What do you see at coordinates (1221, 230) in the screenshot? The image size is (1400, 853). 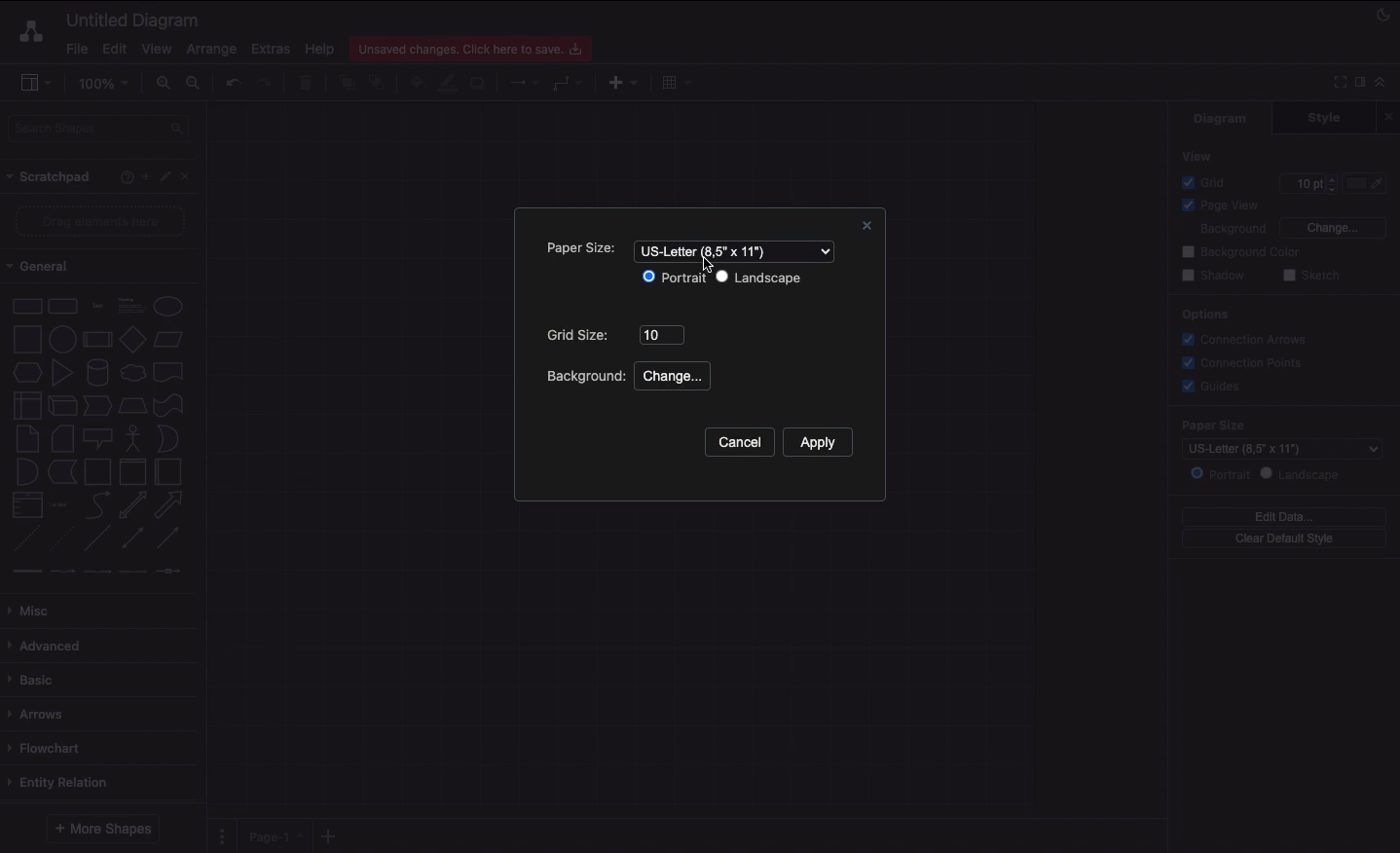 I see `Background ` at bounding box center [1221, 230].